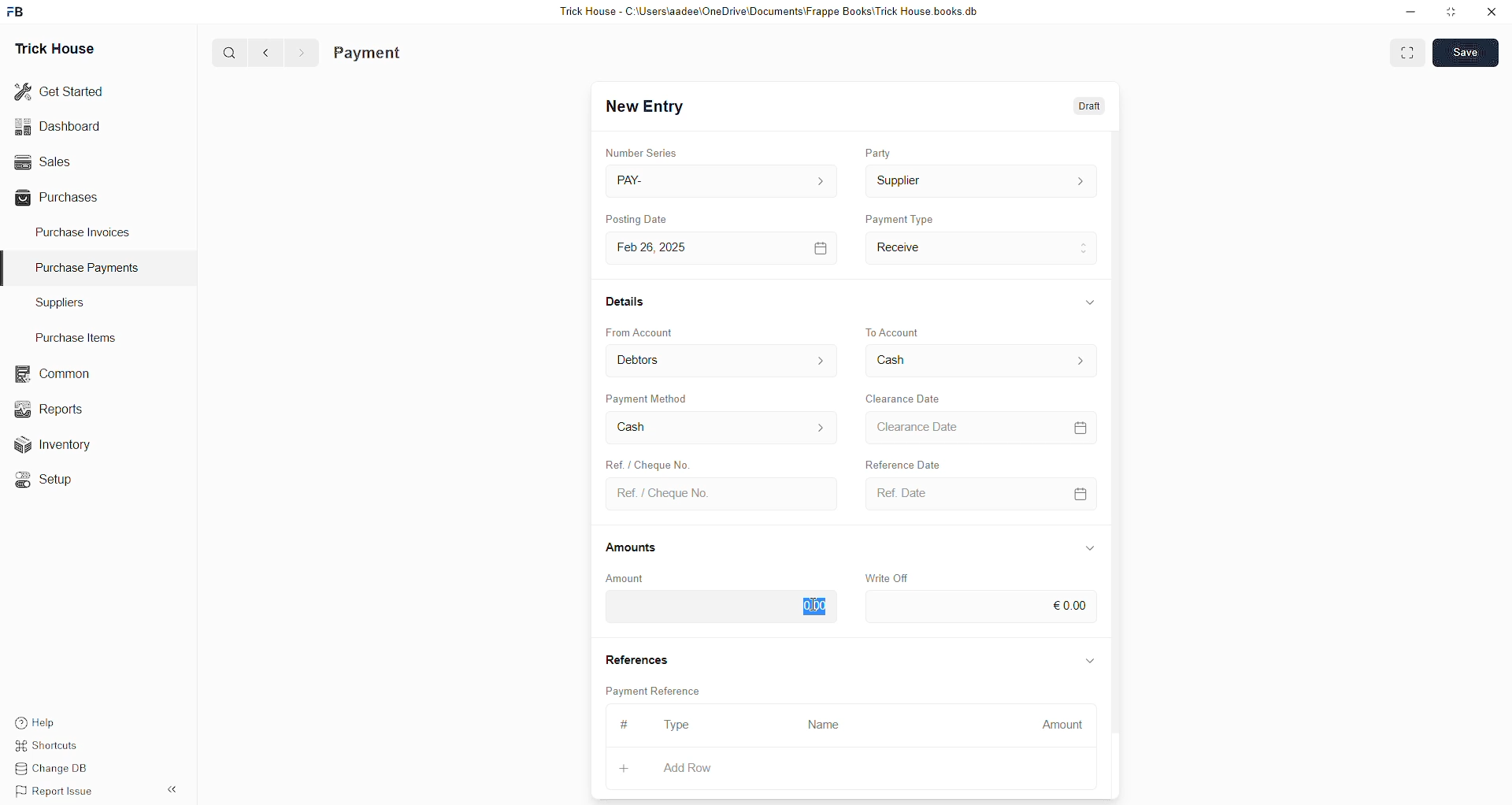 This screenshot has width=1512, height=805. I want to click on Payment Method, so click(648, 398).